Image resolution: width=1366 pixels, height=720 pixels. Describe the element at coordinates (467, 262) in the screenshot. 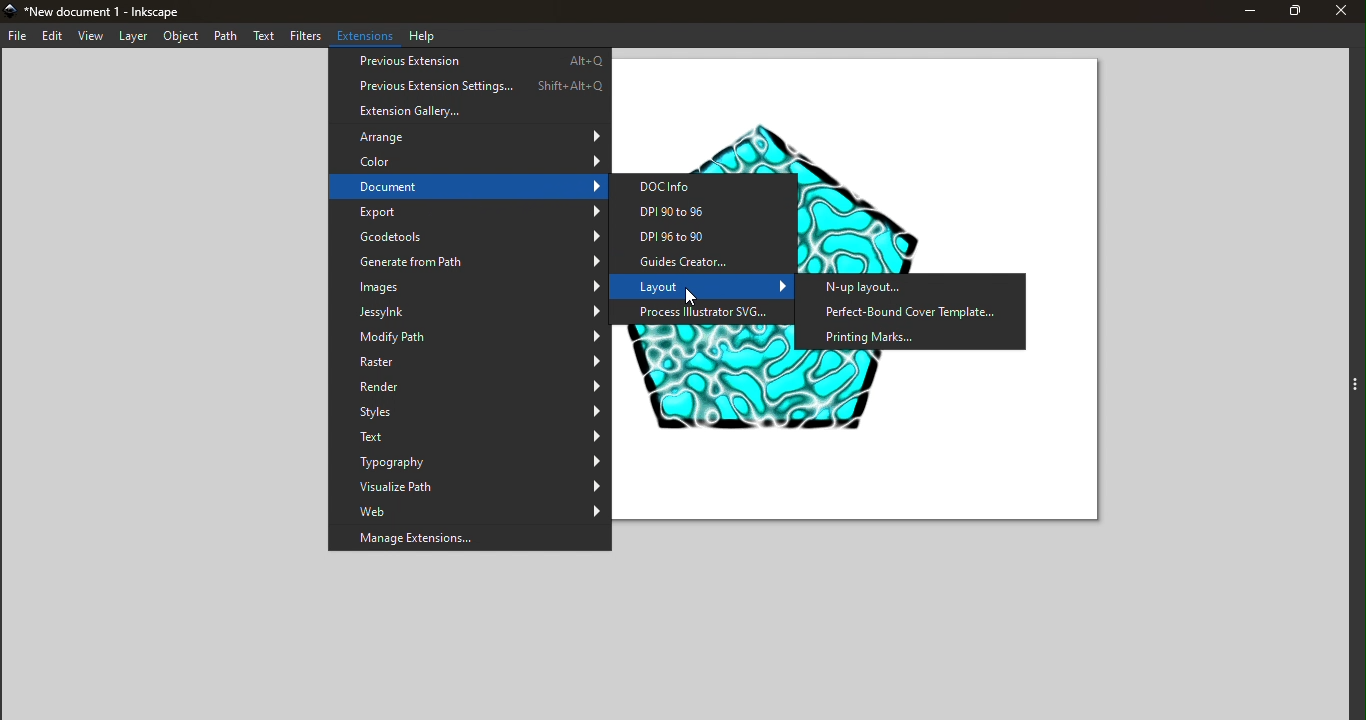

I see `Generate from Path` at that location.